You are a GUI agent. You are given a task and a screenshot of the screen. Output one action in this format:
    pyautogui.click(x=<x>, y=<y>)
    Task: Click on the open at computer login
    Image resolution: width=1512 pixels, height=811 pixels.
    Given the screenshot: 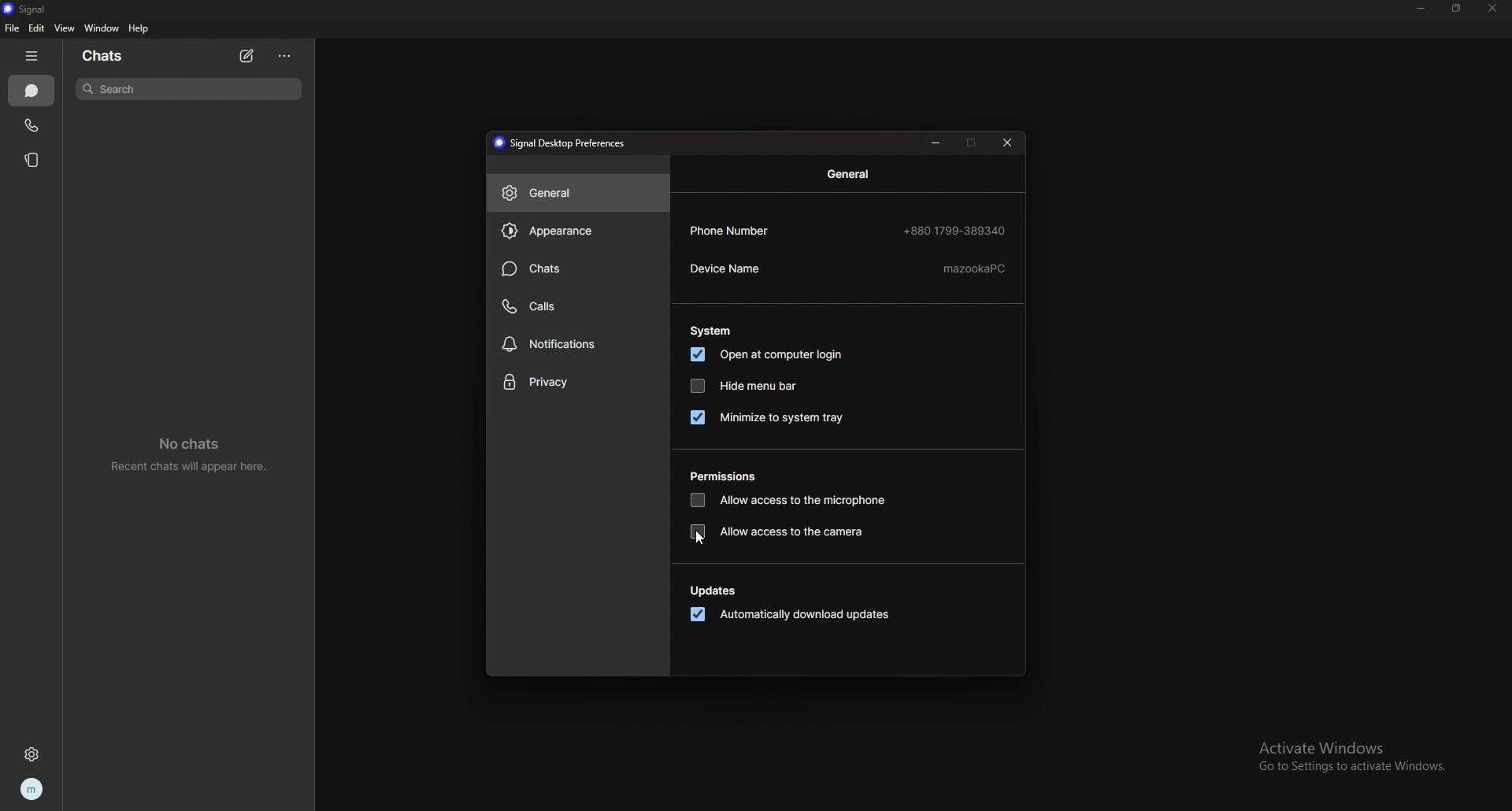 What is the action you would take?
    pyautogui.click(x=769, y=354)
    